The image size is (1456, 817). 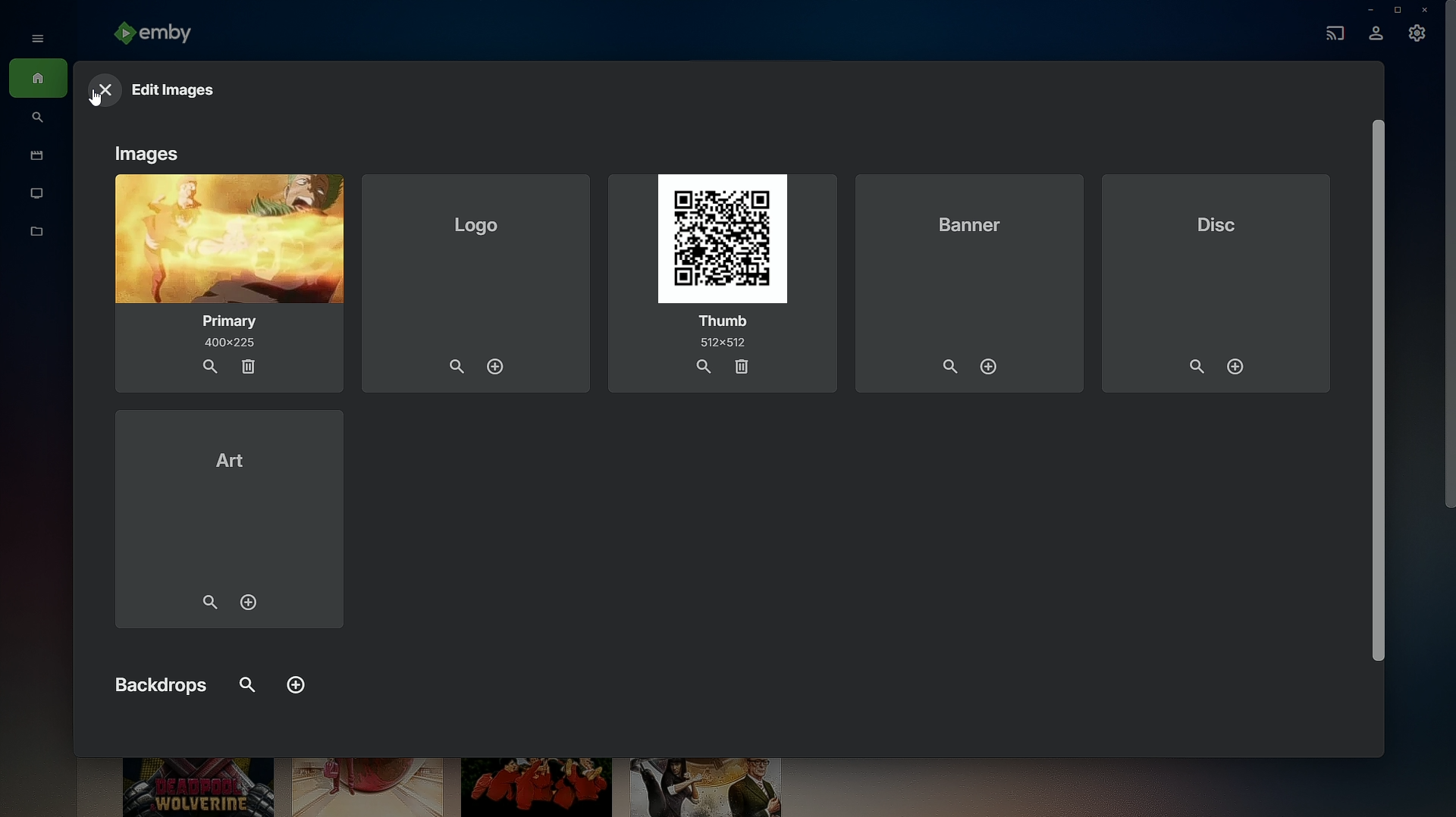 I want to click on Minimize, so click(x=1366, y=10).